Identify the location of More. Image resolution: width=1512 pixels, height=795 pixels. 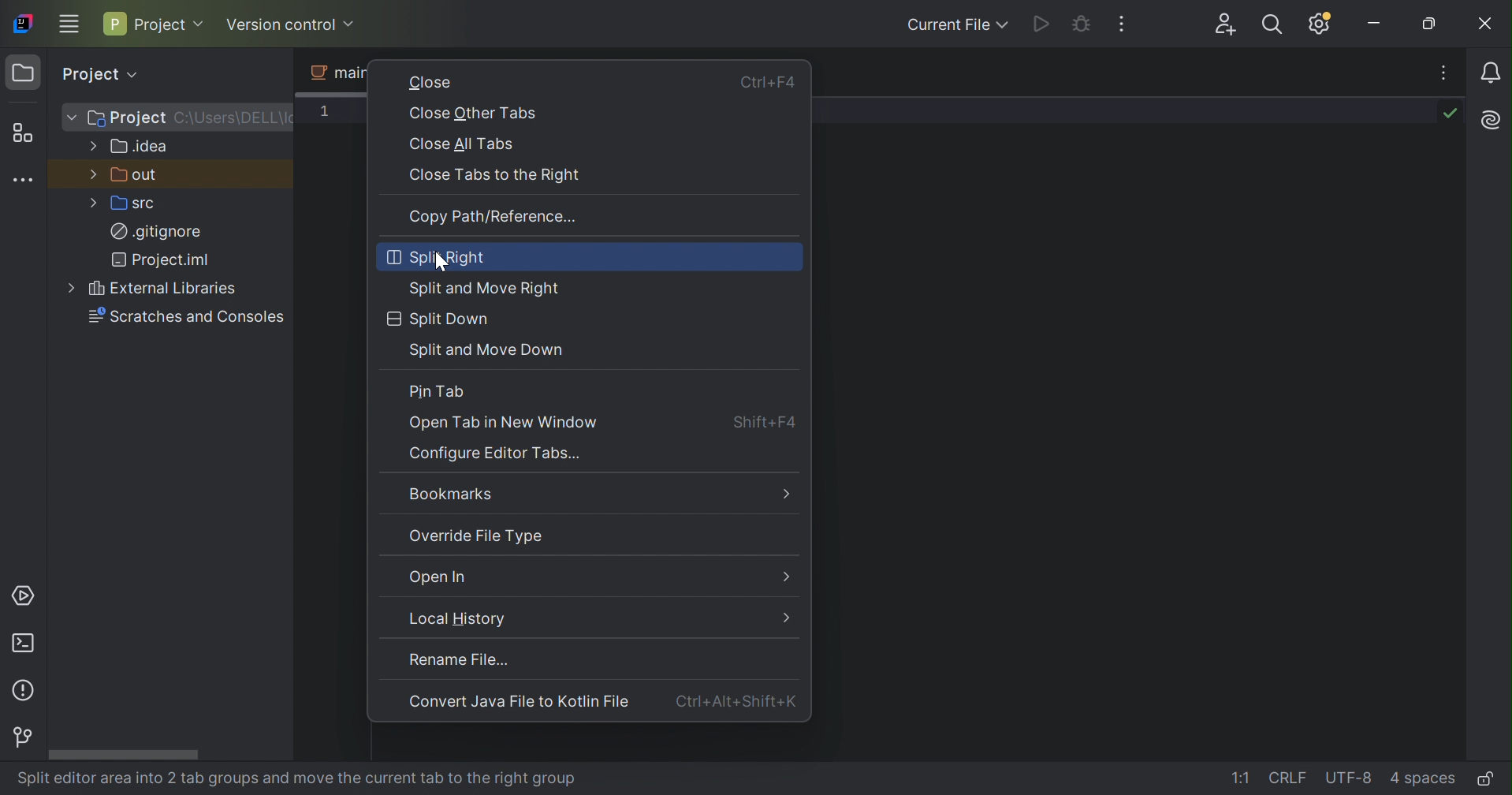
(788, 492).